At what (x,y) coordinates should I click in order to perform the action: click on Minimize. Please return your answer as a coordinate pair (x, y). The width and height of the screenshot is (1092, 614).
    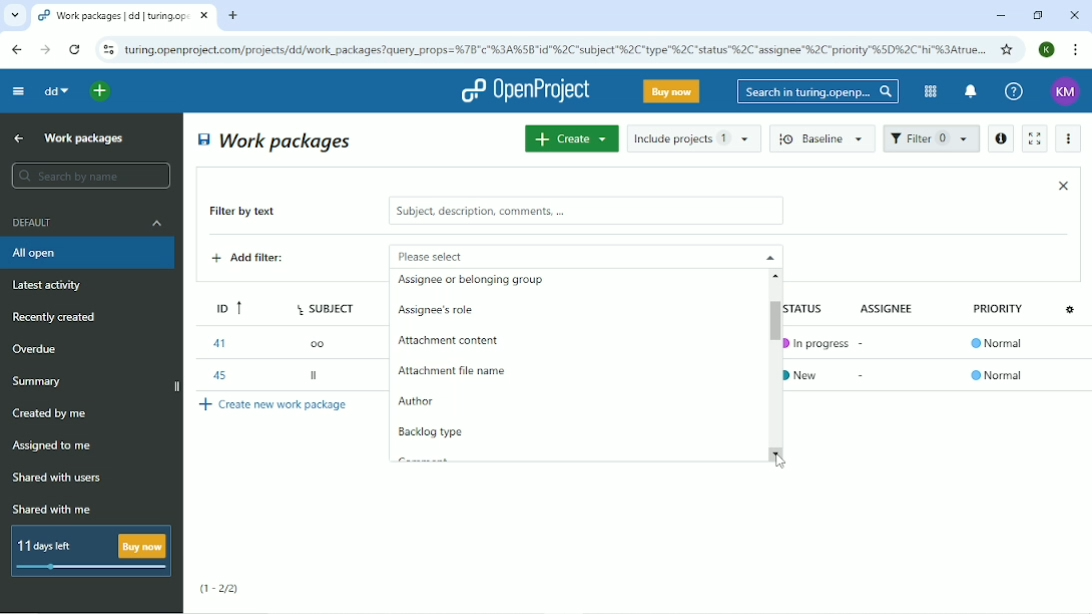
    Looking at the image, I should click on (1000, 16).